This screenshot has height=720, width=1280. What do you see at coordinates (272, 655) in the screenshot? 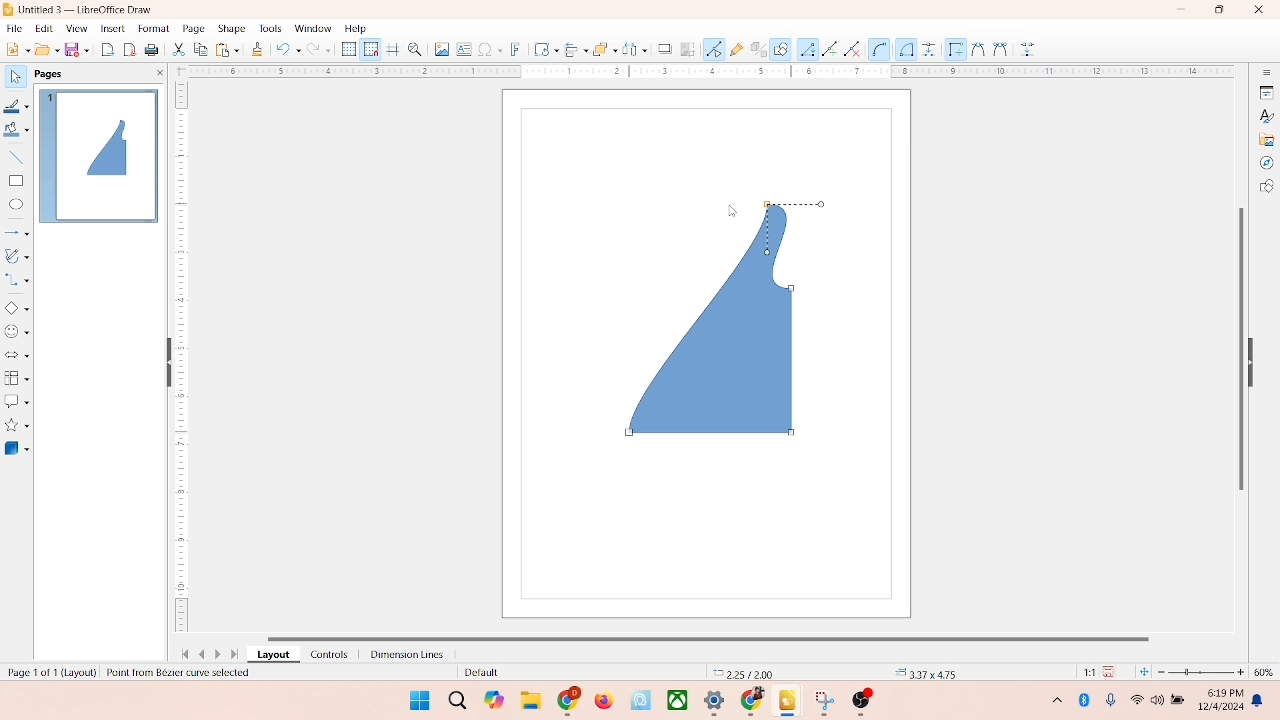
I see `layout` at bounding box center [272, 655].